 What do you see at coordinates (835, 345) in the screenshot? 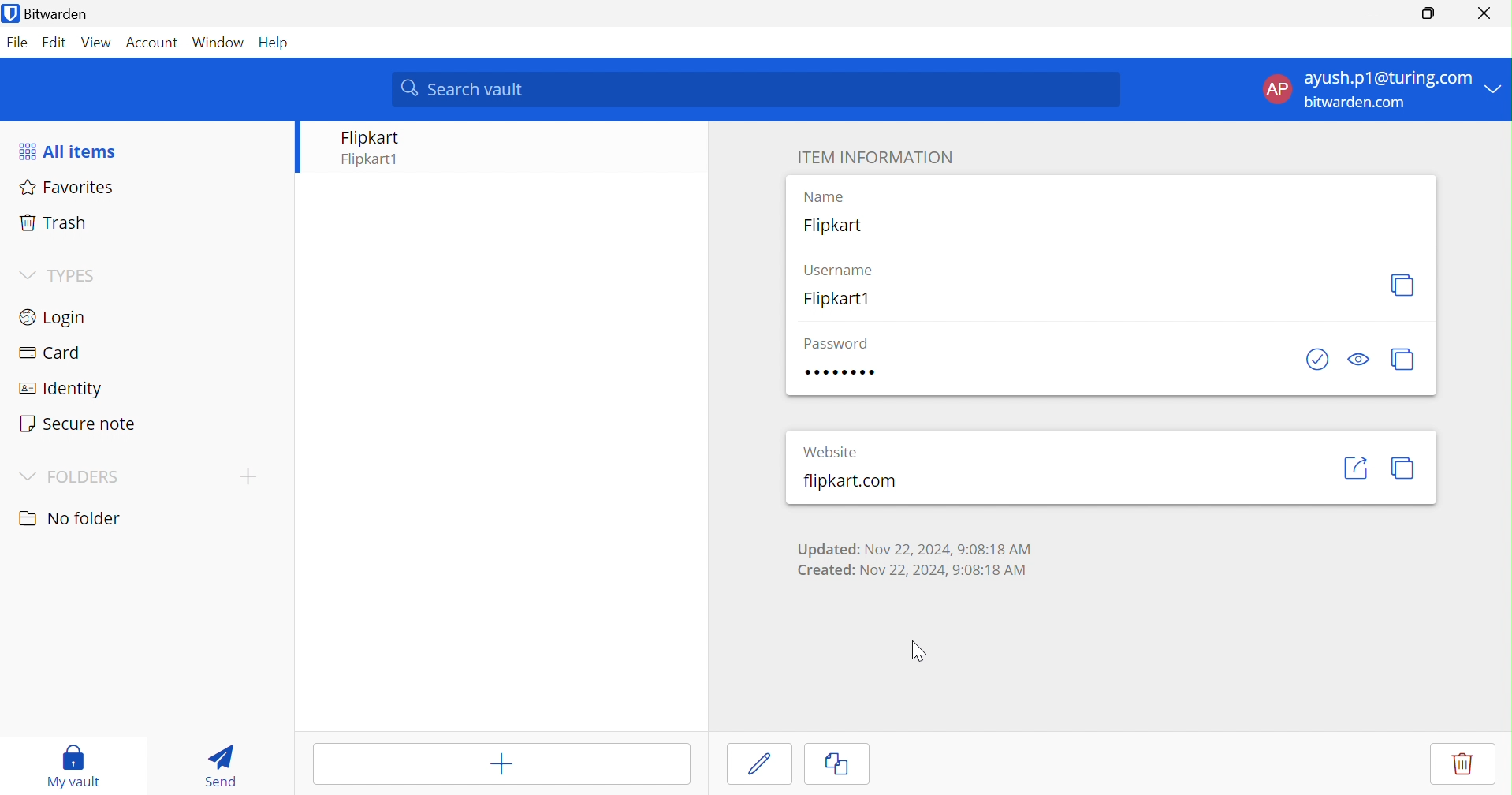
I see `Password` at bounding box center [835, 345].